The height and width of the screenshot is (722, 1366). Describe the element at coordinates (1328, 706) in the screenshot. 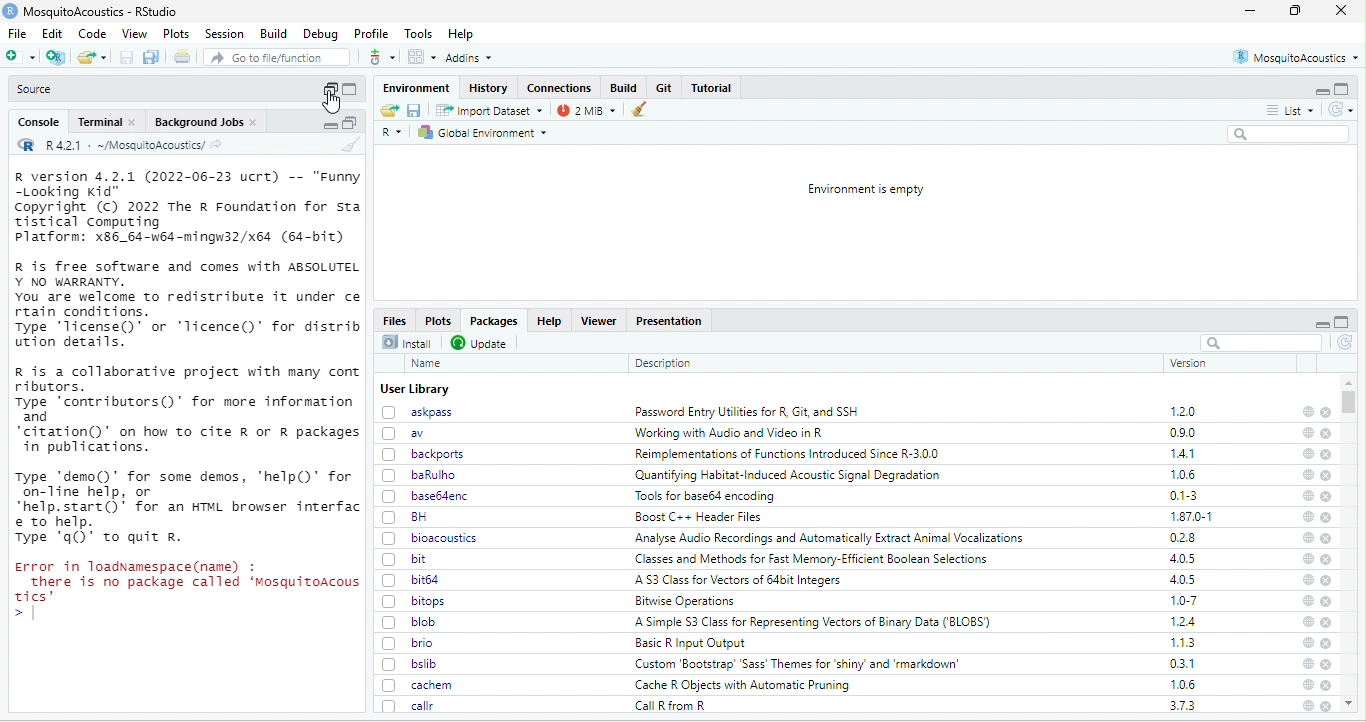

I see `close` at that location.